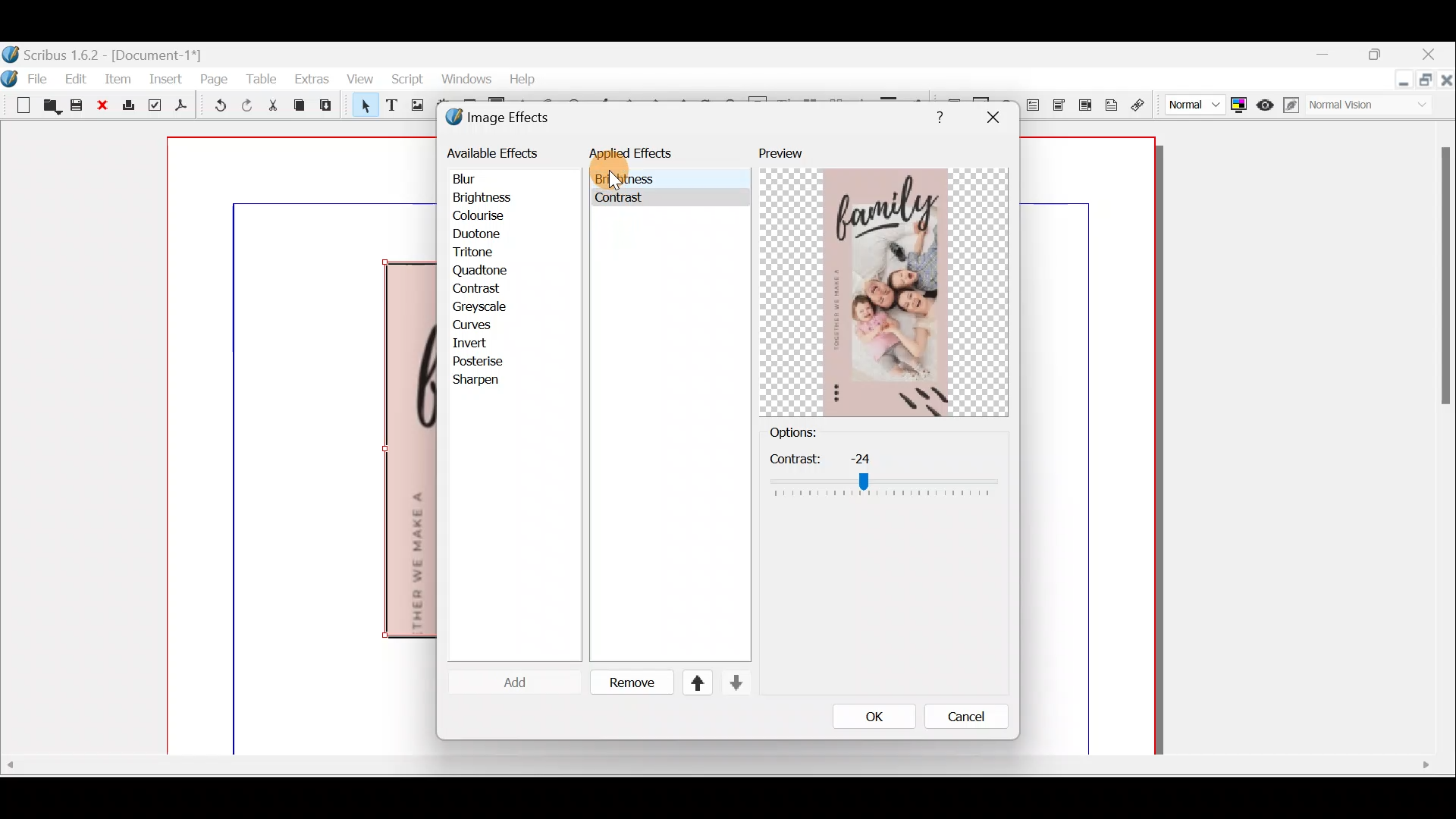 This screenshot has height=819, width=1456. I want to click on , so click(715, 764).